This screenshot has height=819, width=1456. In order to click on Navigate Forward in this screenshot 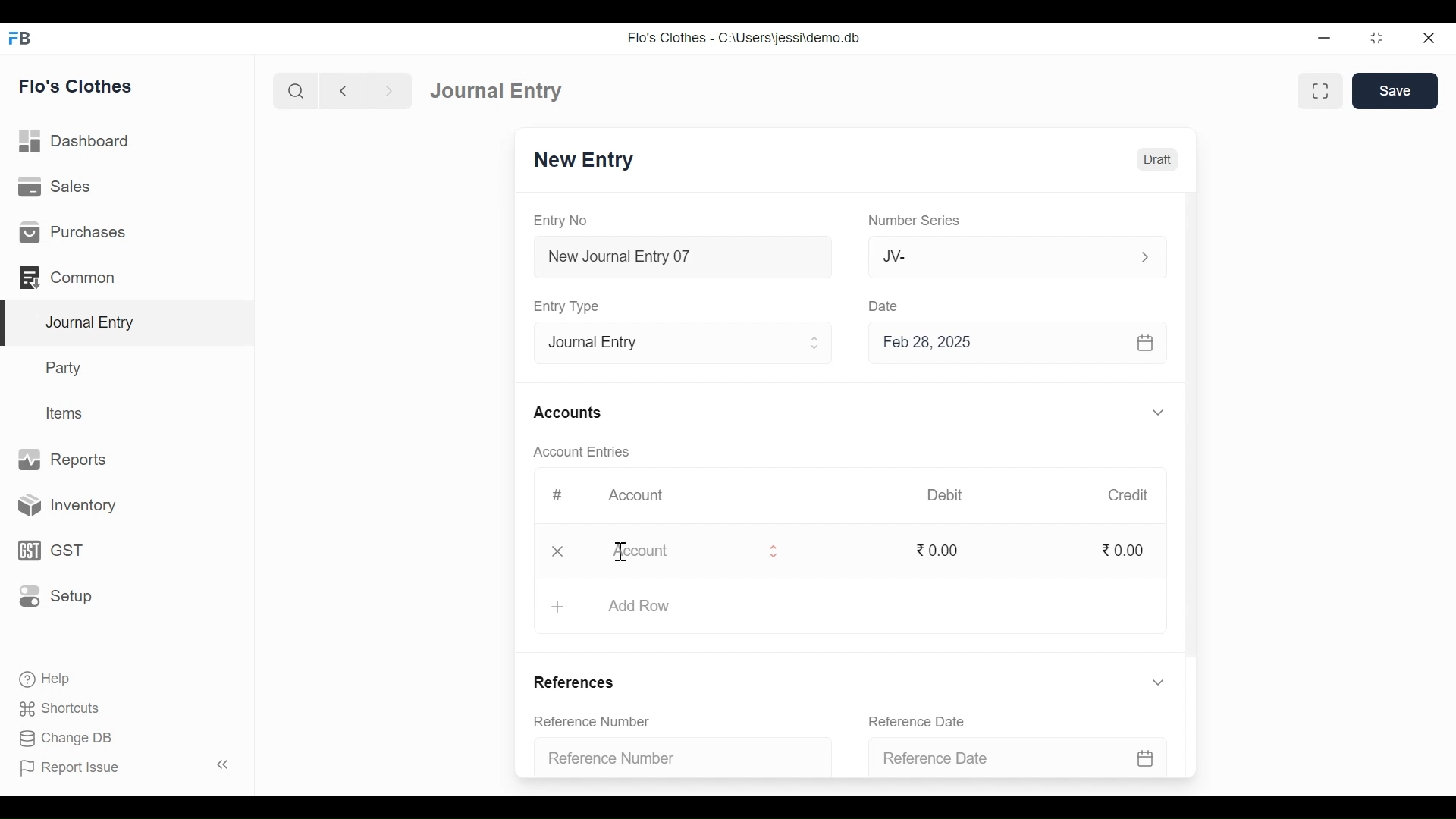, I will do `click(389, 91)`.